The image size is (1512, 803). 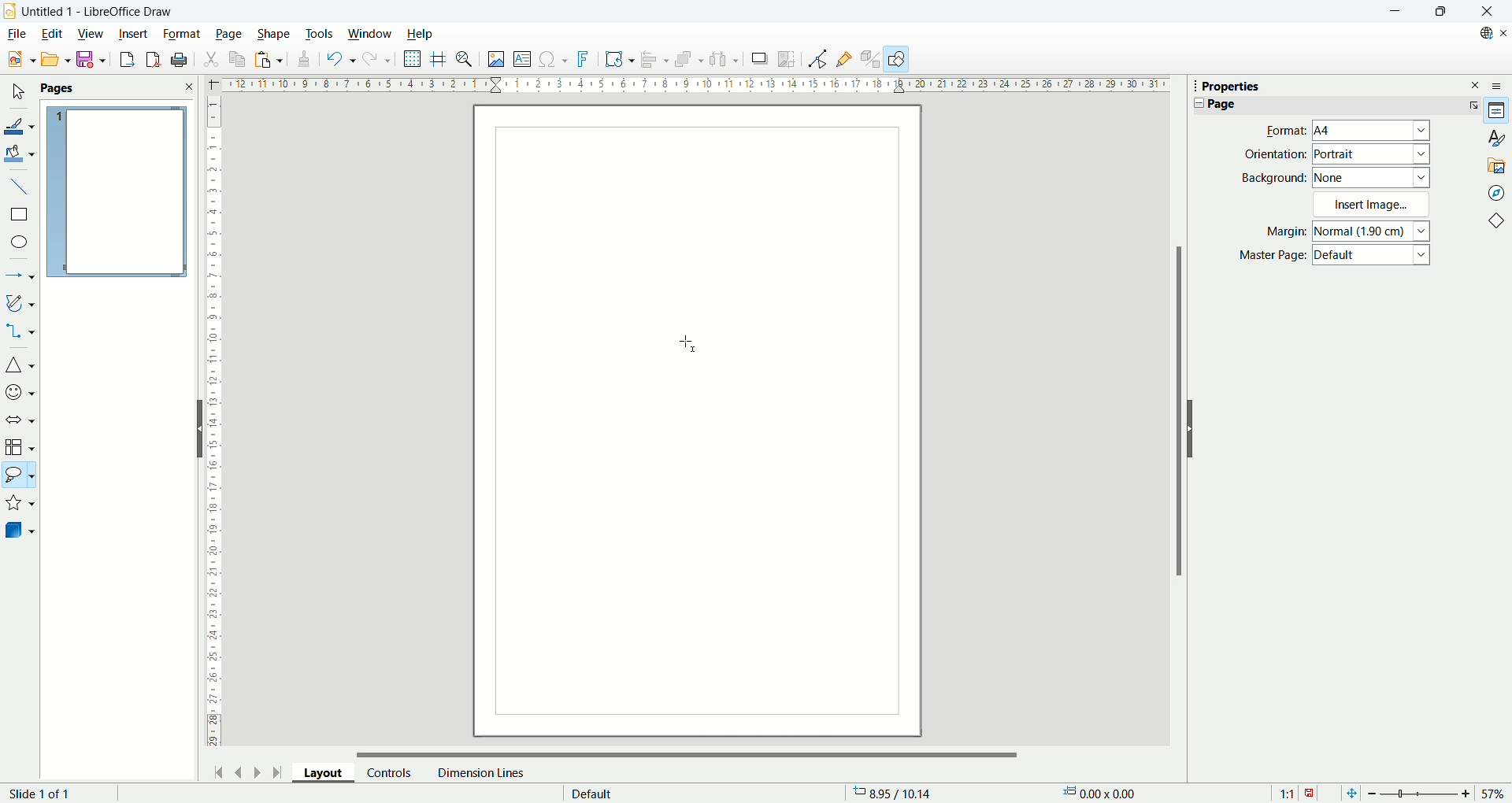 I want to click on Orientaion, so click(x=1275, y=154).